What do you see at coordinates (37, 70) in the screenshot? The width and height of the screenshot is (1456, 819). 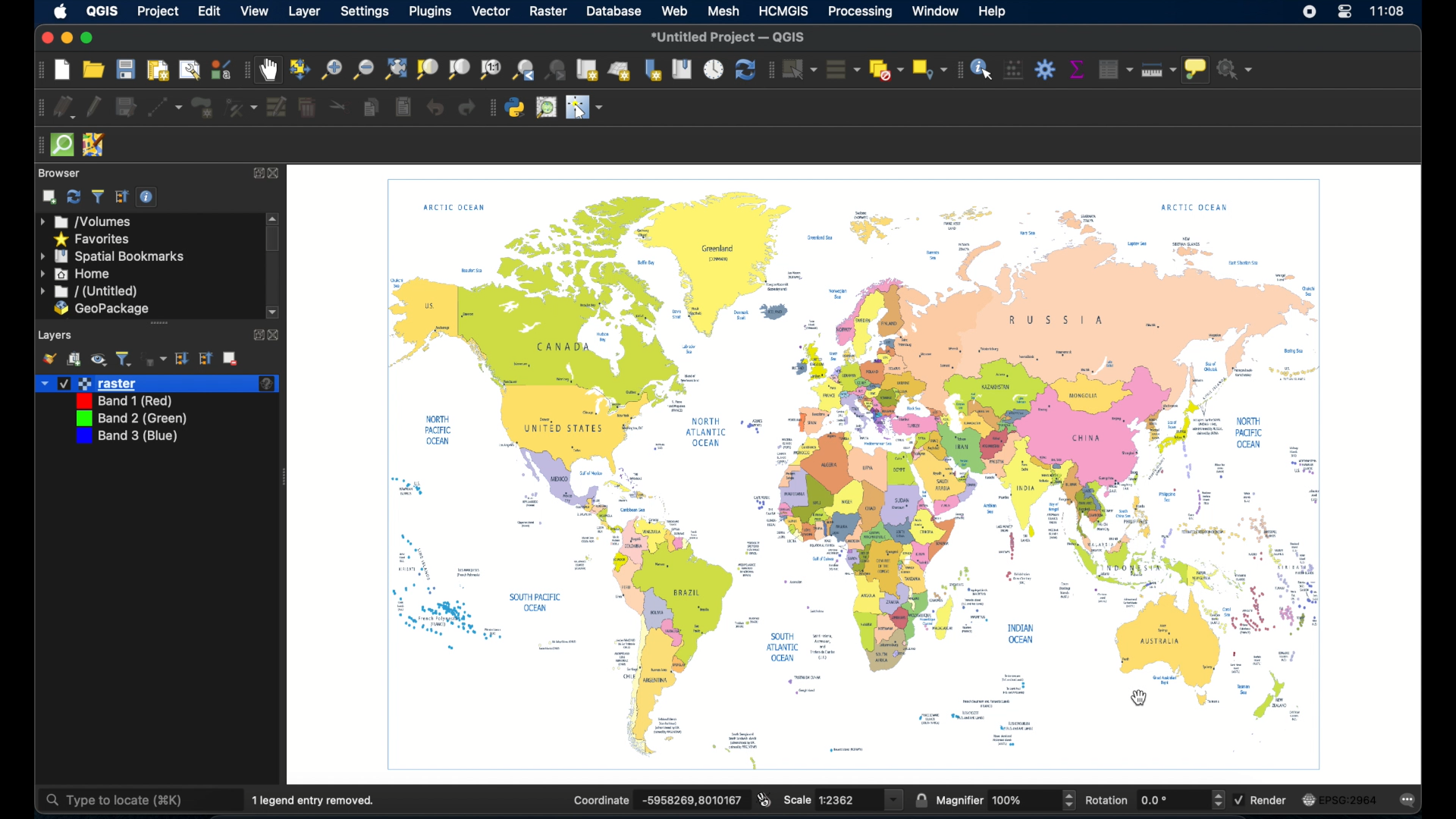 I see `project toolbar` at bounding box center [37, 70].